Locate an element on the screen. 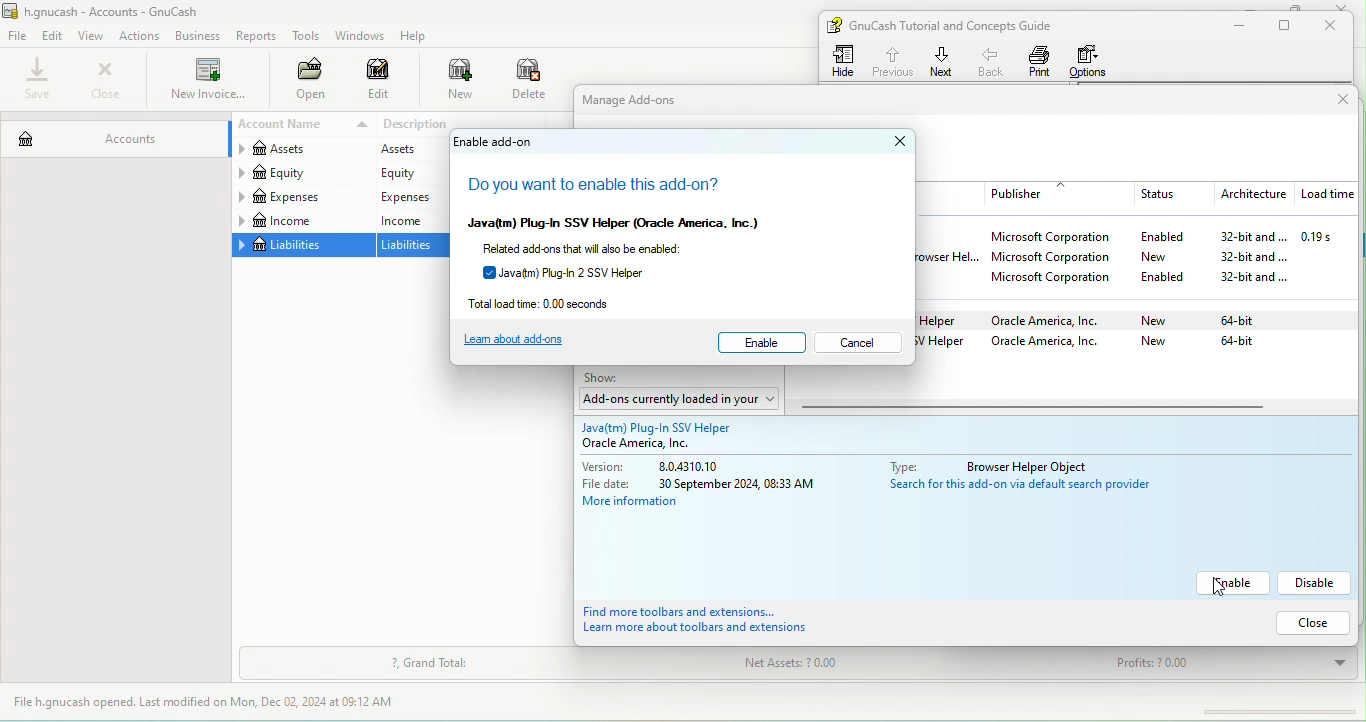 This screenshot has height=722, width=1366. enabled is located at coordinates (1170, 276).